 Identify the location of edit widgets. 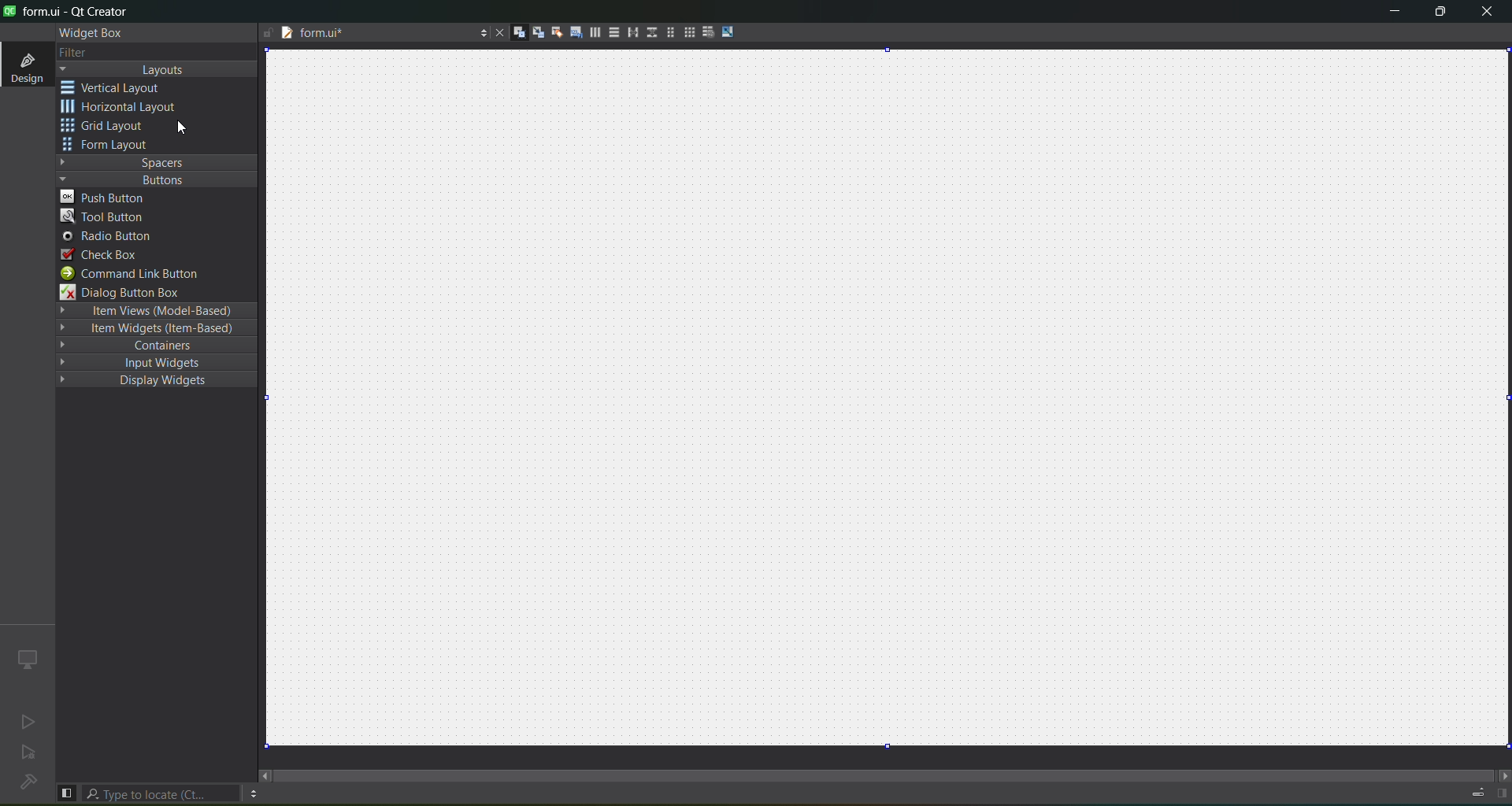
(519, 33).